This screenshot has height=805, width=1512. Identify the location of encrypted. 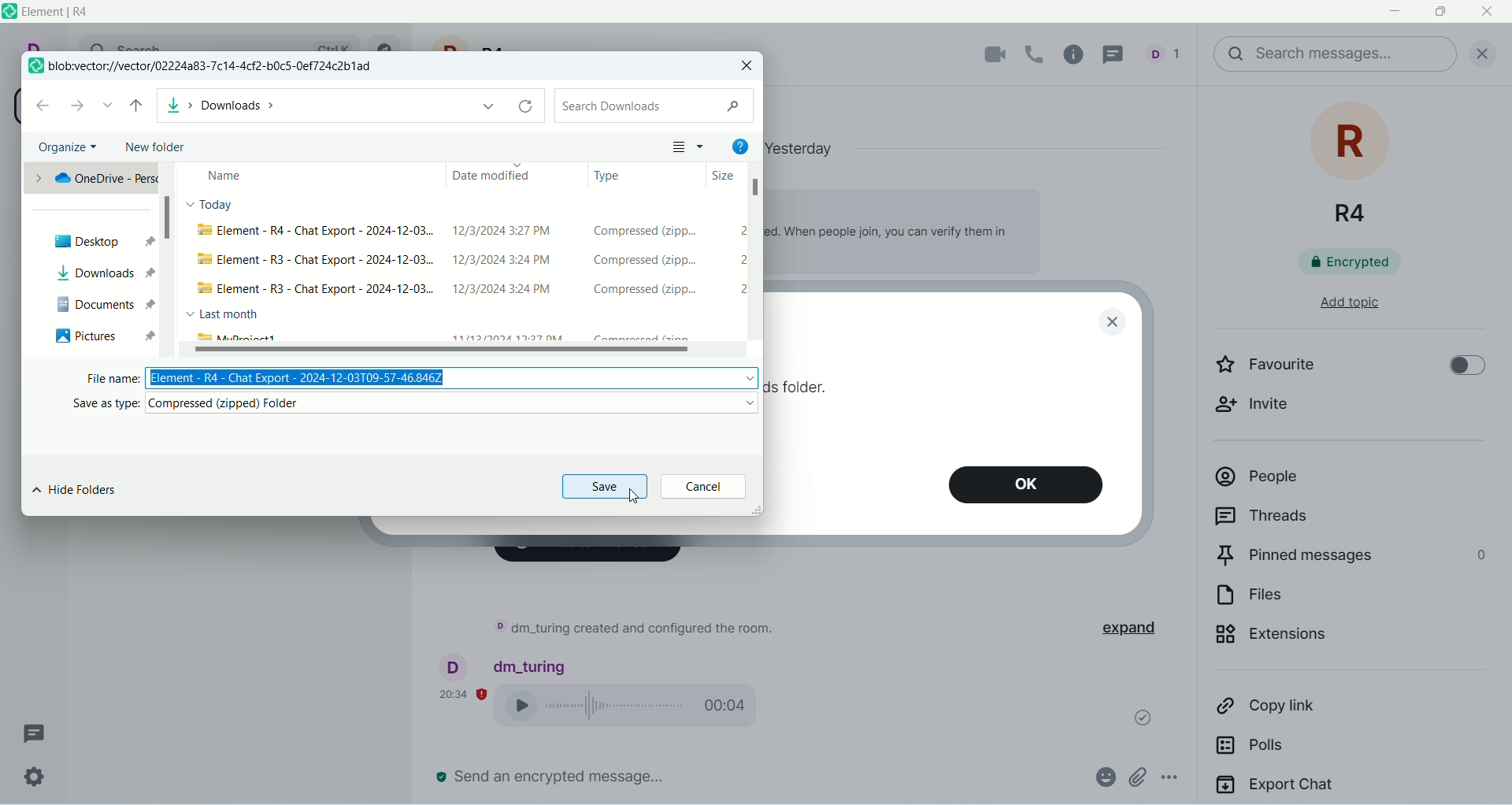
(1362, 265).